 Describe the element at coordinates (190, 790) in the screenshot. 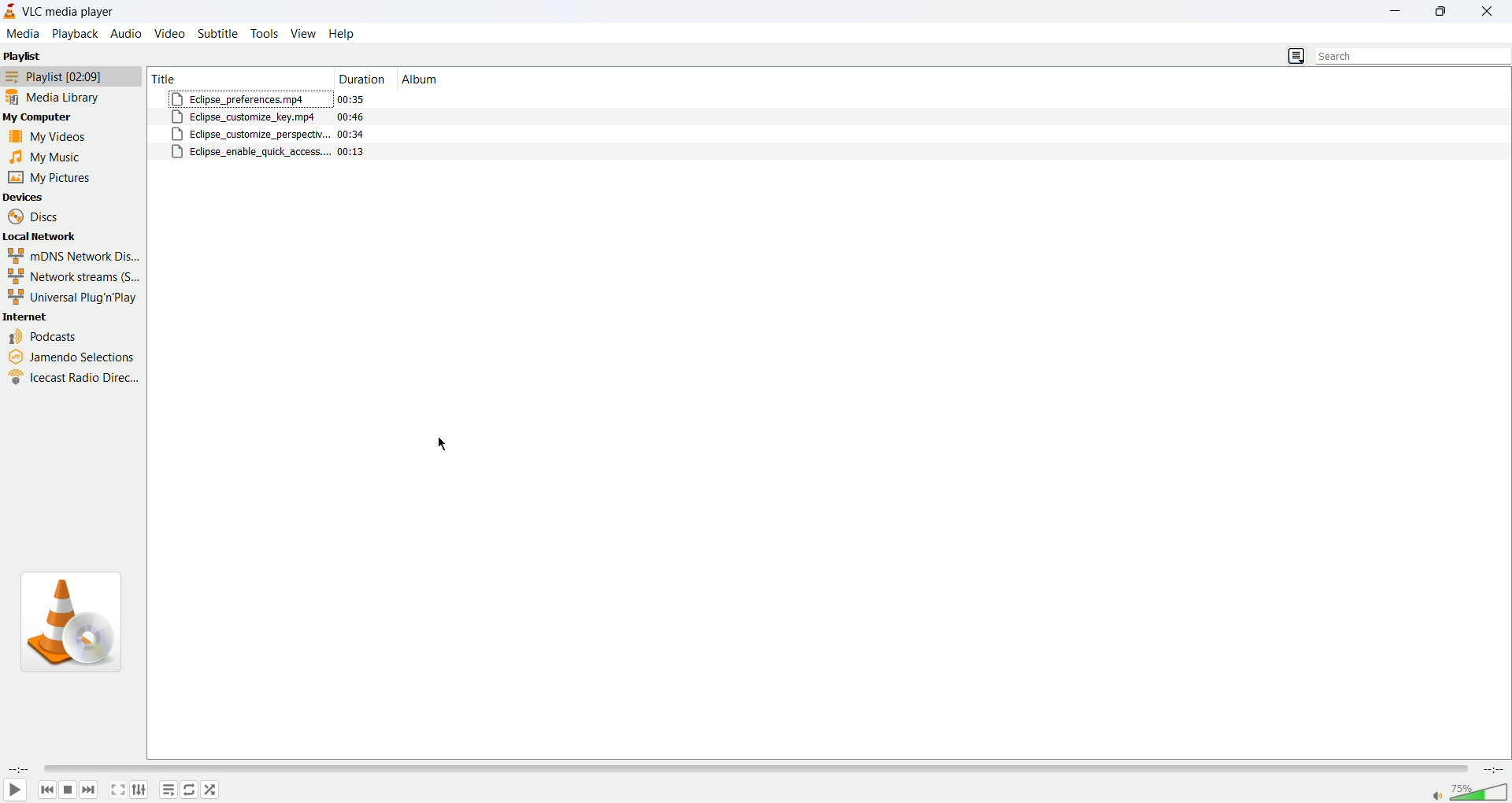

I see `toggle loop` at that location.